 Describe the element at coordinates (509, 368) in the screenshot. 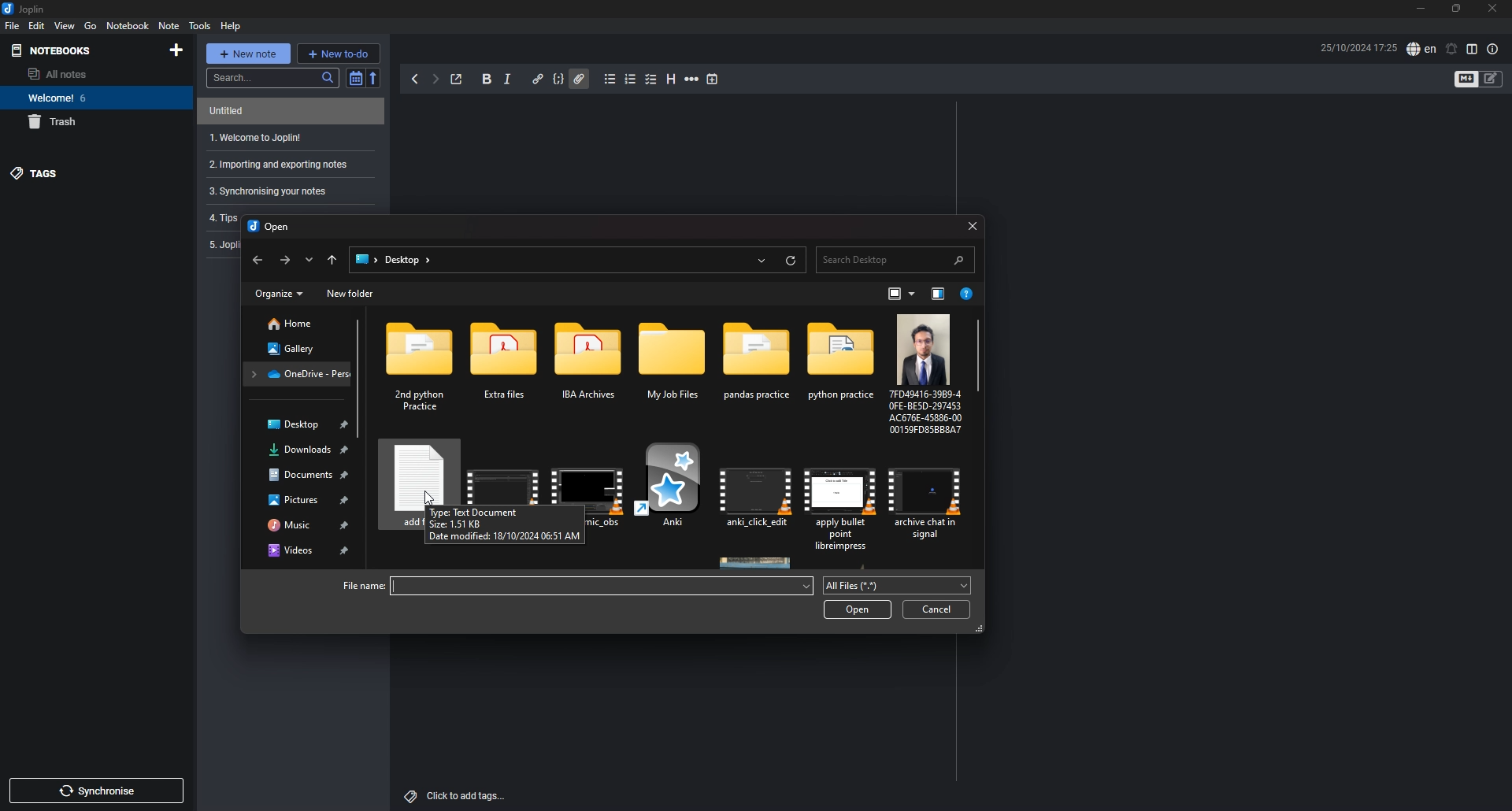

I see `folder` at that location.